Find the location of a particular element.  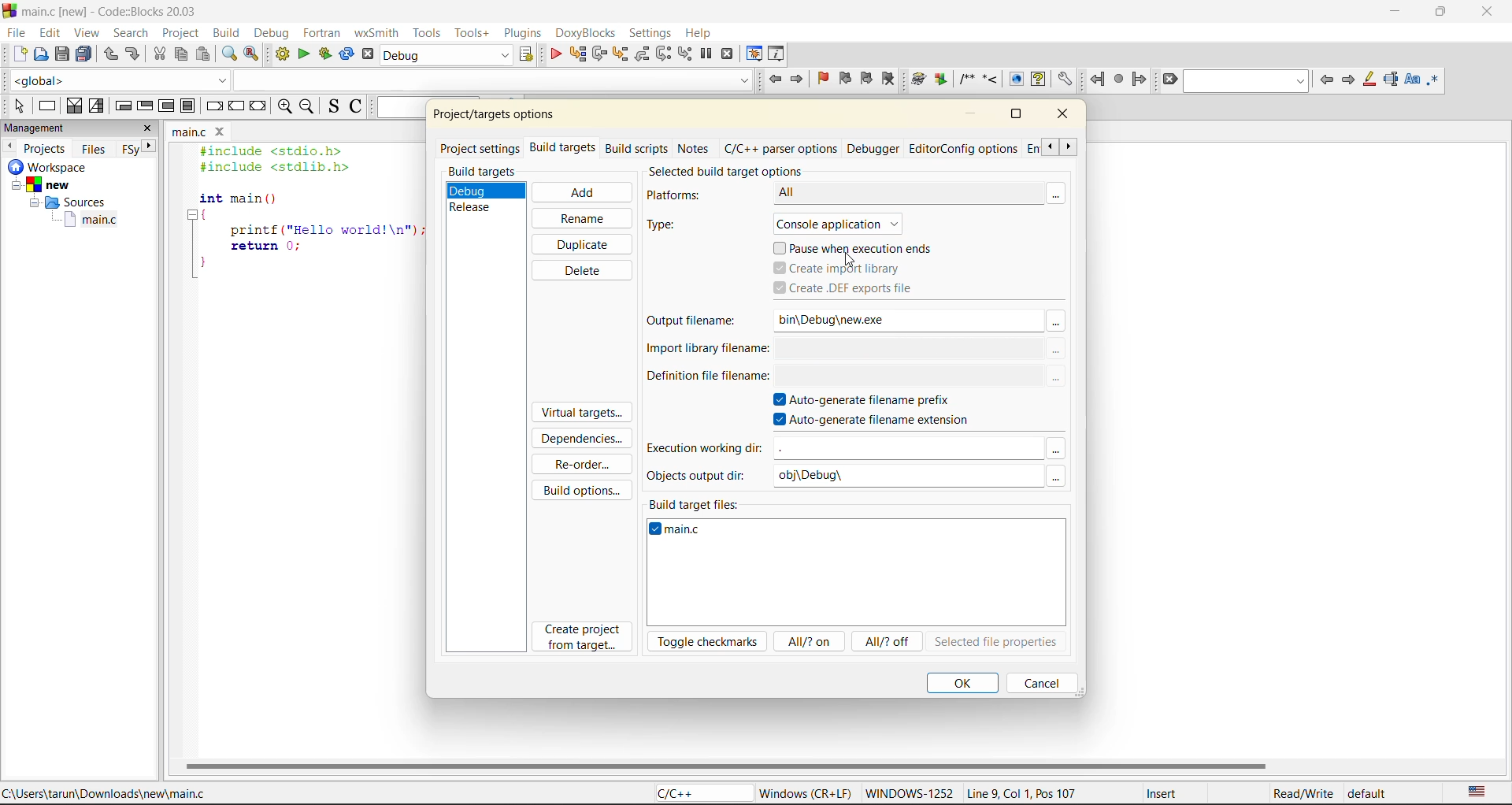

reorder is located at coordinates (582, 465).